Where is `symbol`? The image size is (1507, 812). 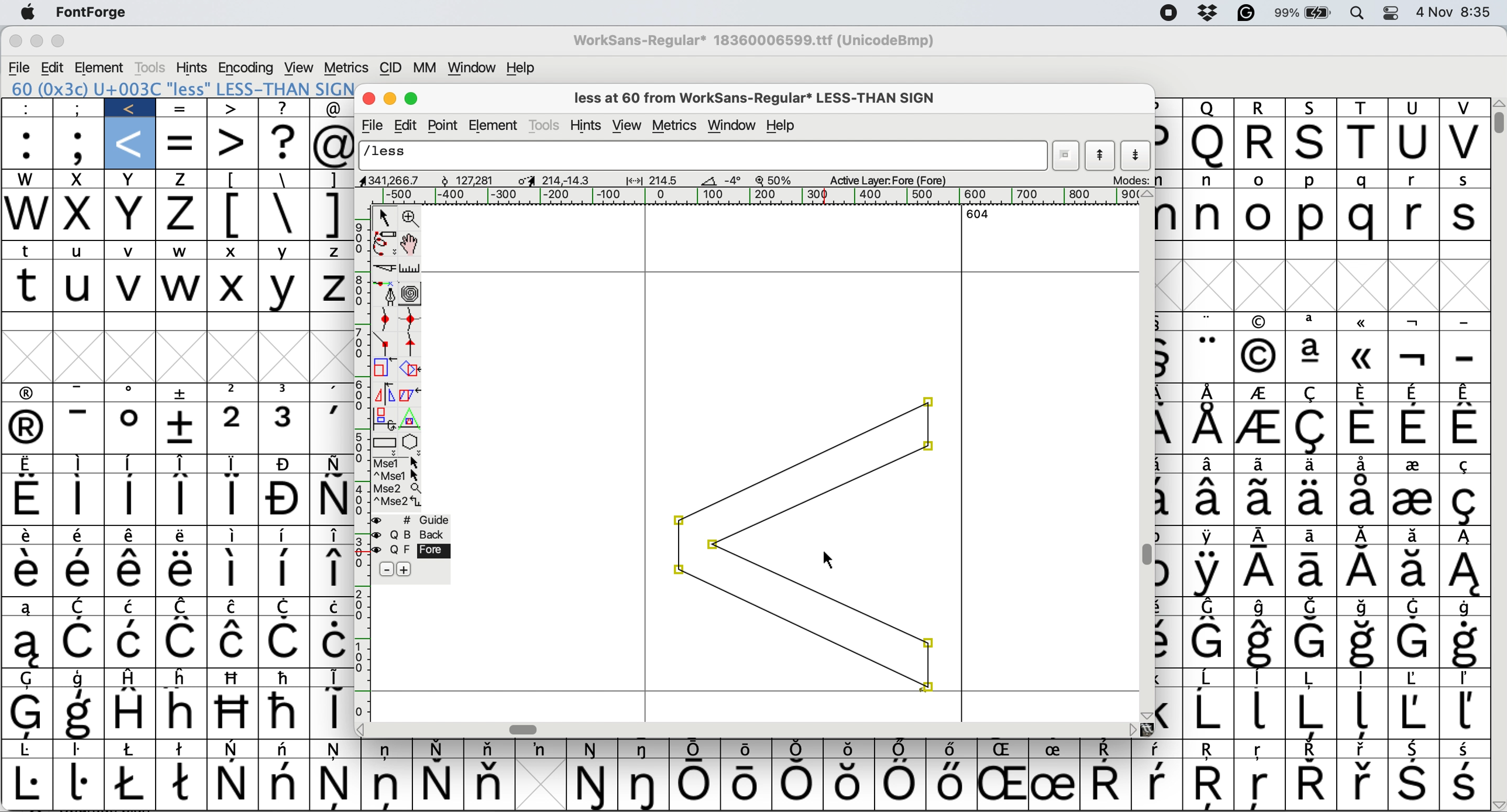
symbol is located at coordinates (81, 605).